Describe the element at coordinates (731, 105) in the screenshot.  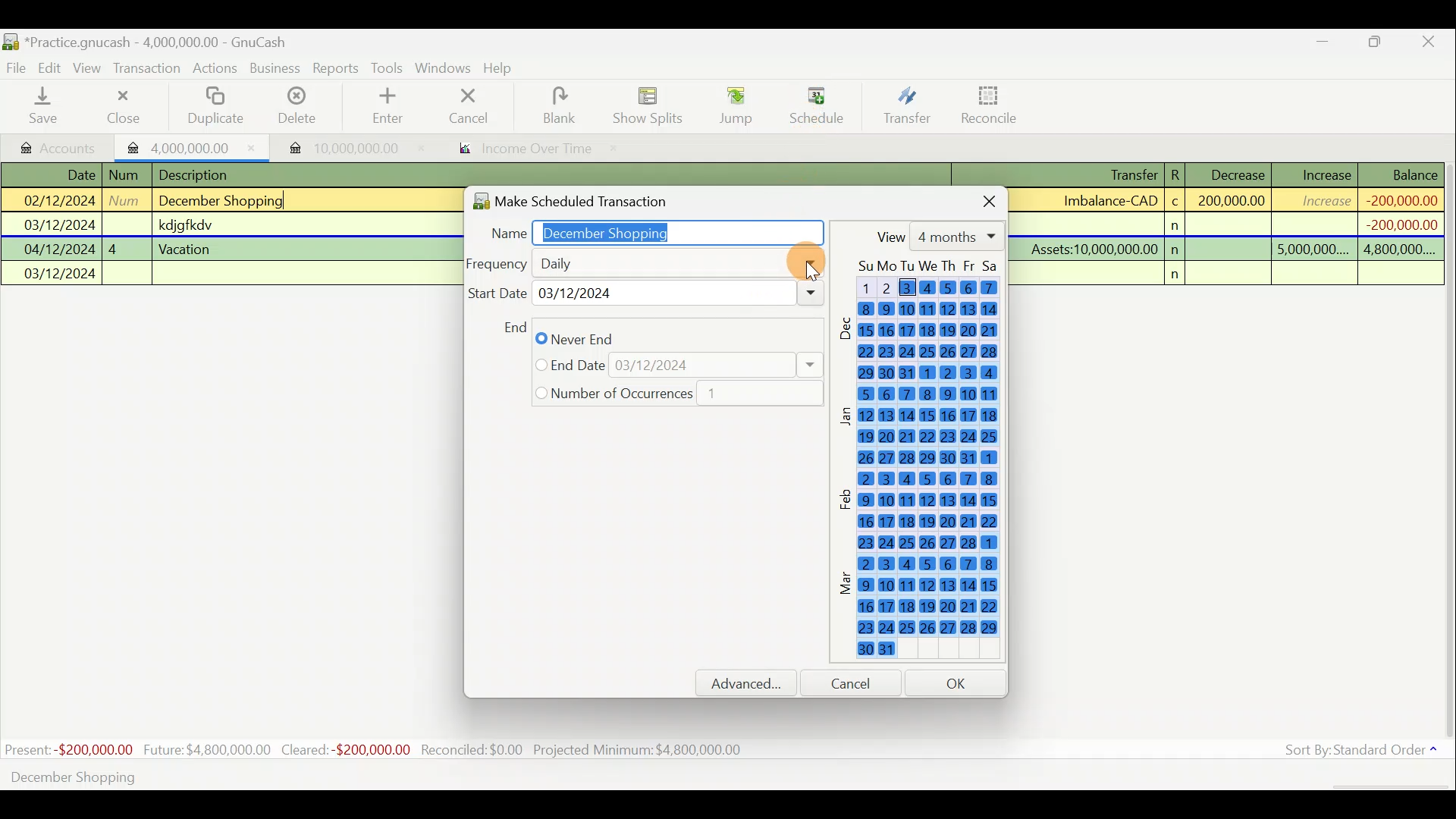
I see `Jump` at that location.